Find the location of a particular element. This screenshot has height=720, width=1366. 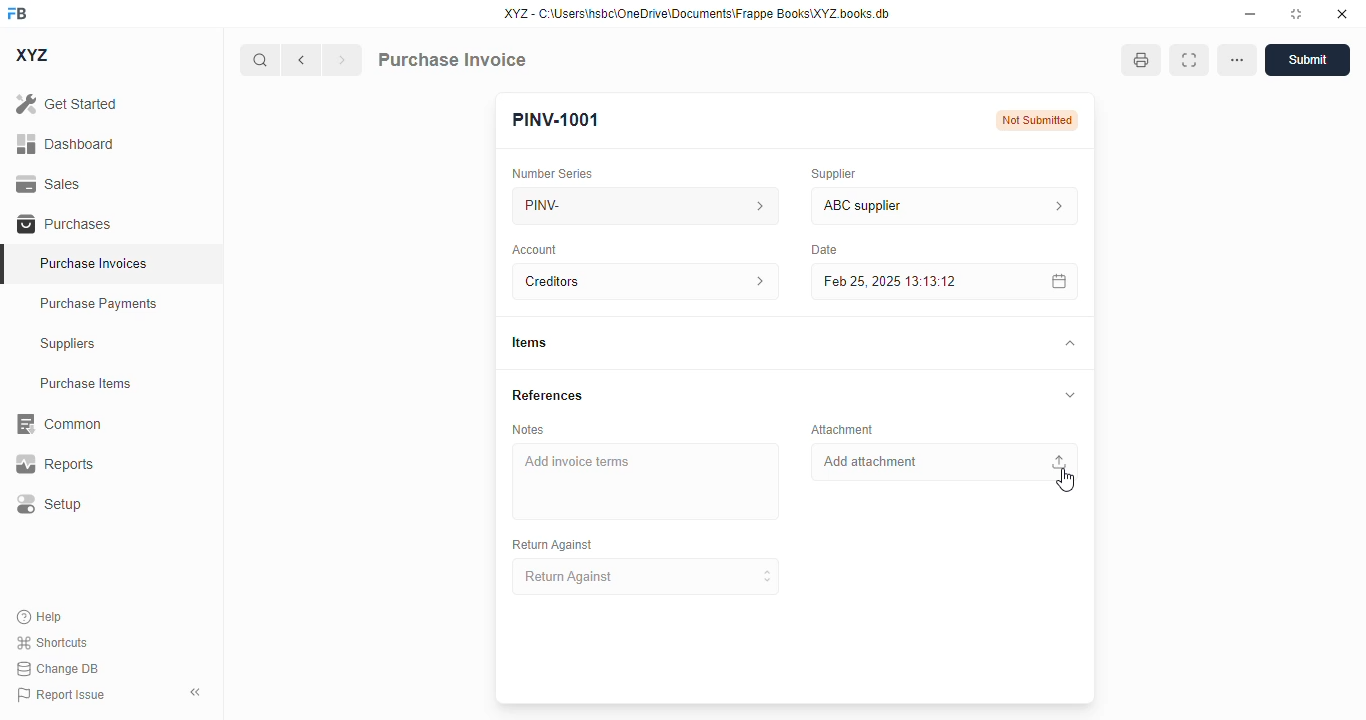

report issue is located at coordinates (60, 695).